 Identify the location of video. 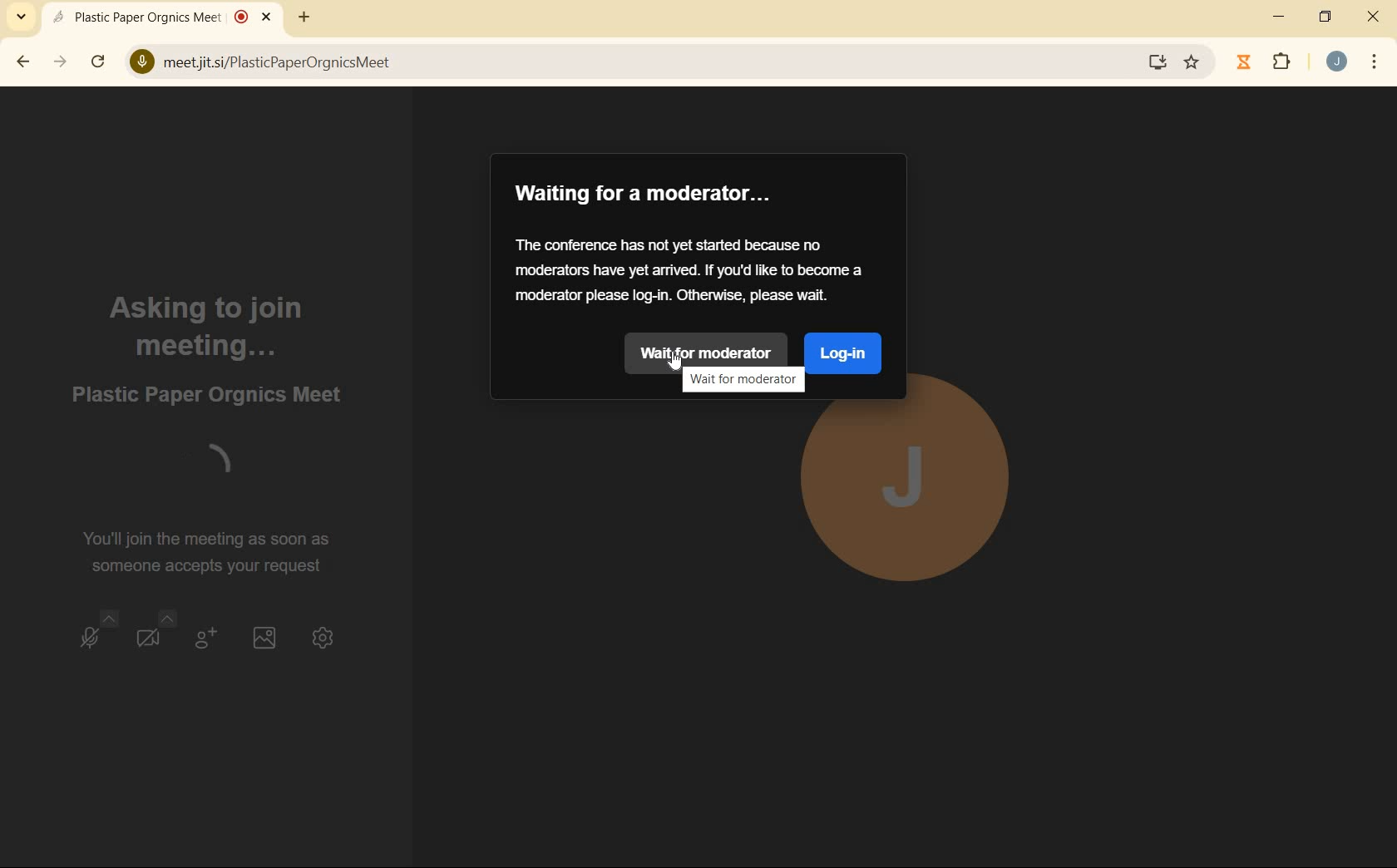
(150, 635).